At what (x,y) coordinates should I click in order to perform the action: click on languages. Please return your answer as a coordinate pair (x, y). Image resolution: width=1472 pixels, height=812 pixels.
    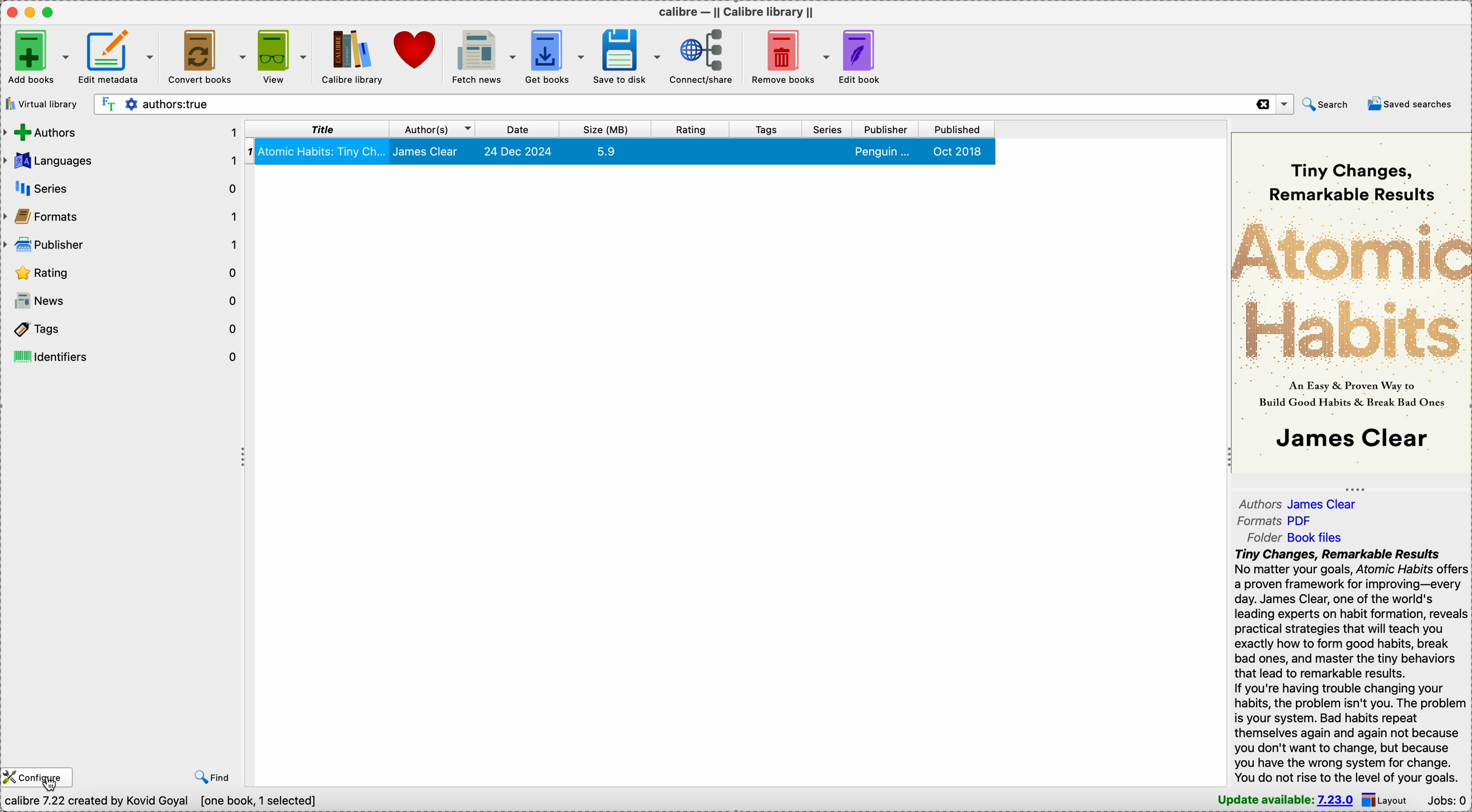
    Looking at the image, I should click on (119, 161).